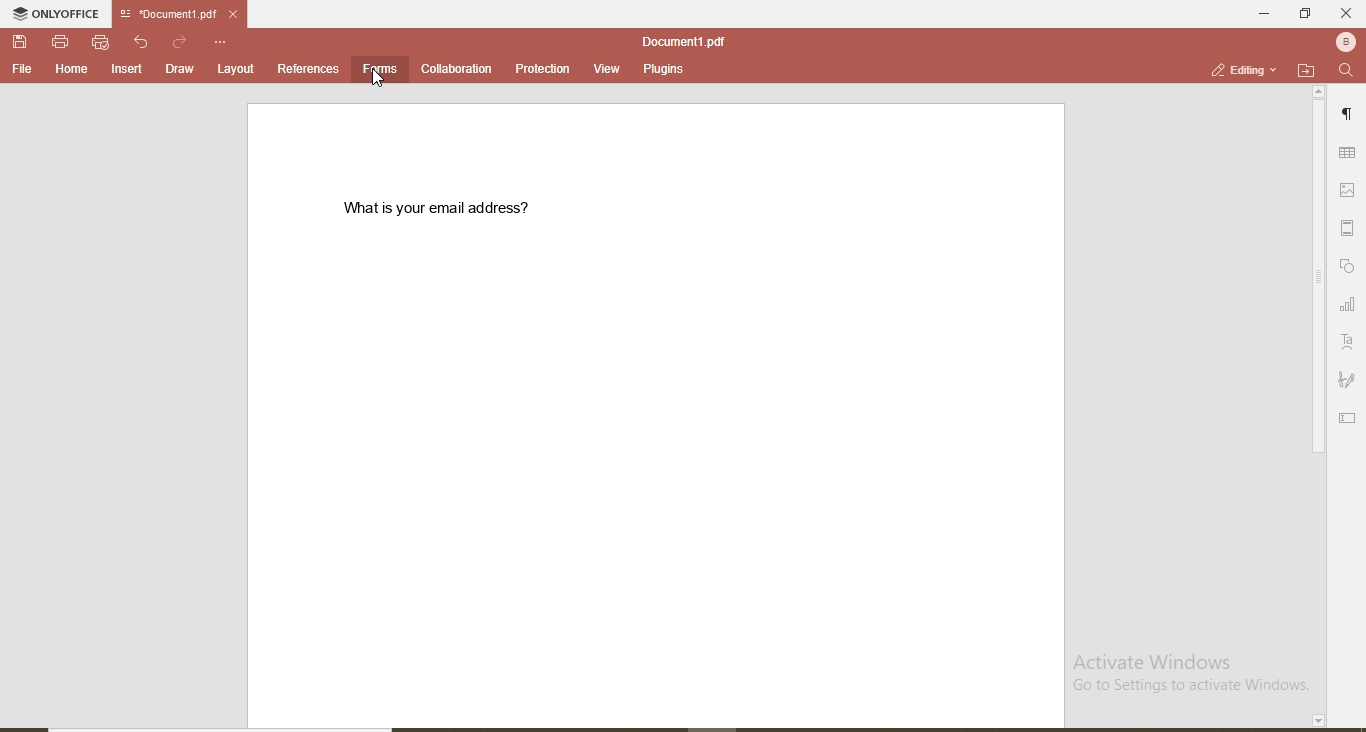  Describe the element at coordinates (59, 16) in the screenshot. I see `onlyoffice` at that location.